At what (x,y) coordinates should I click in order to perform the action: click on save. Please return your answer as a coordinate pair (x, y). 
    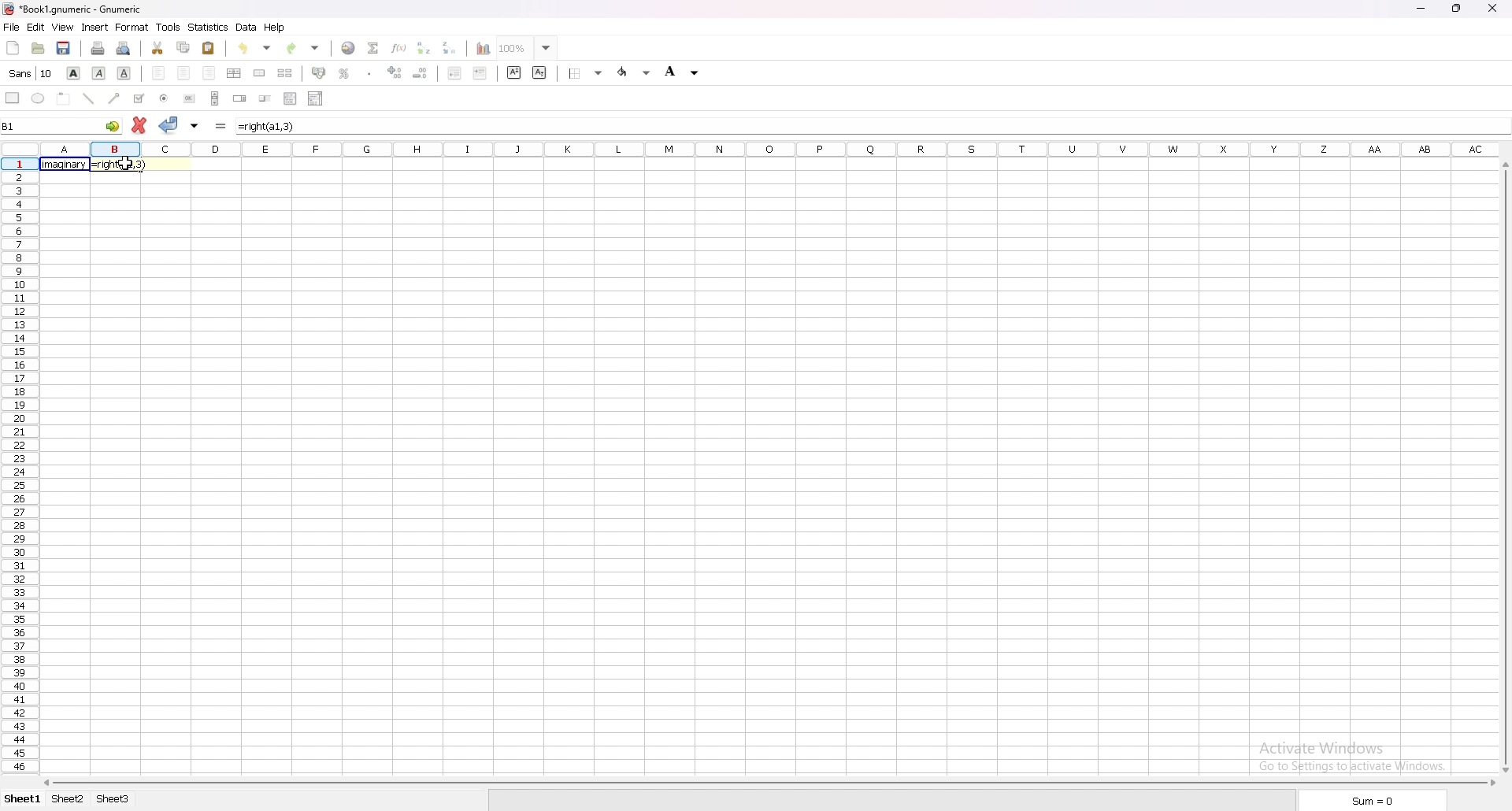
    Looking at the image, I should click on (63, 48).